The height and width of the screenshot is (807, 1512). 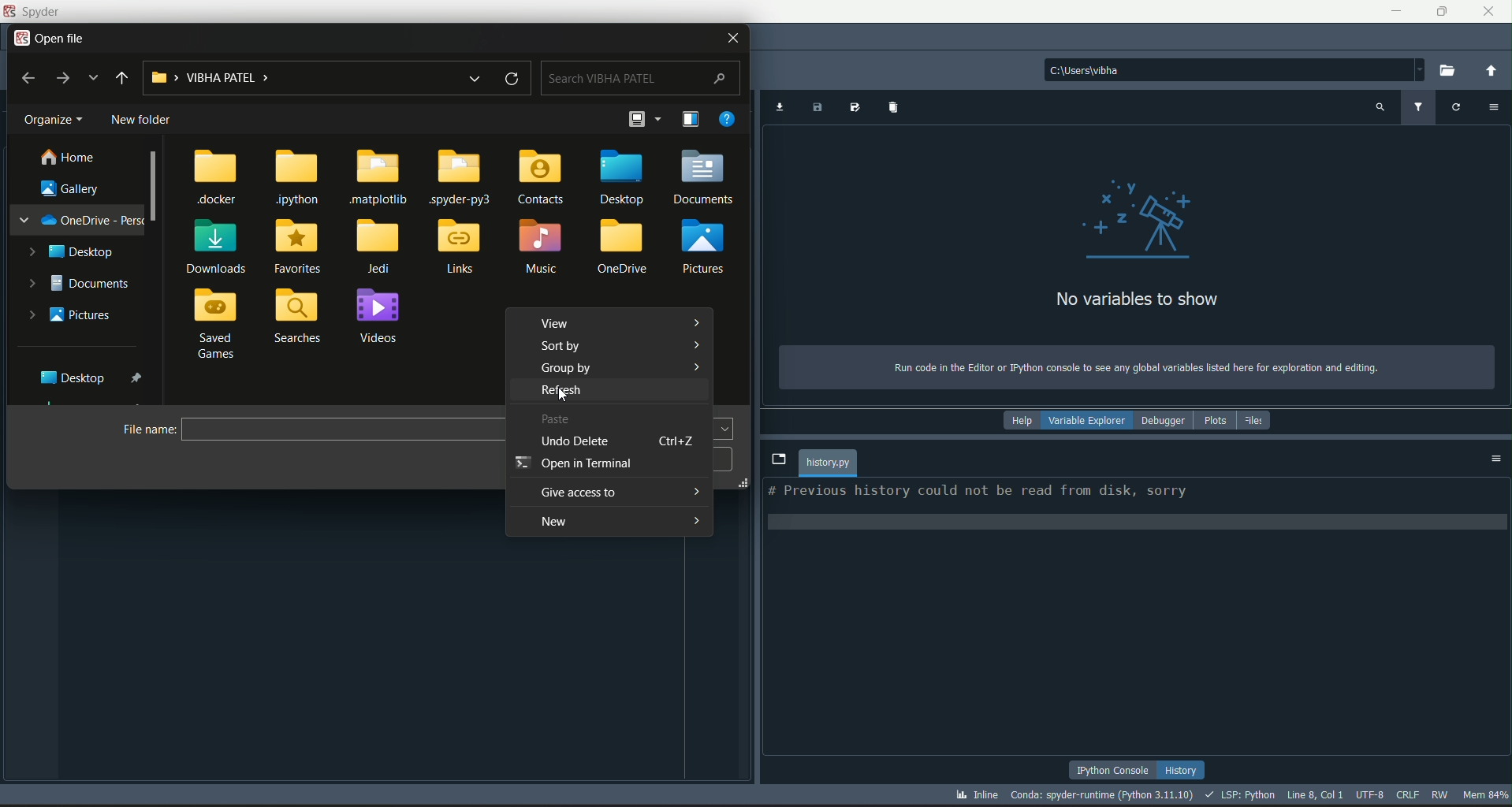 What do you see at coordinates (620, 176) in the screenshot?
I see `desktop` at bounding box center [620, 176].